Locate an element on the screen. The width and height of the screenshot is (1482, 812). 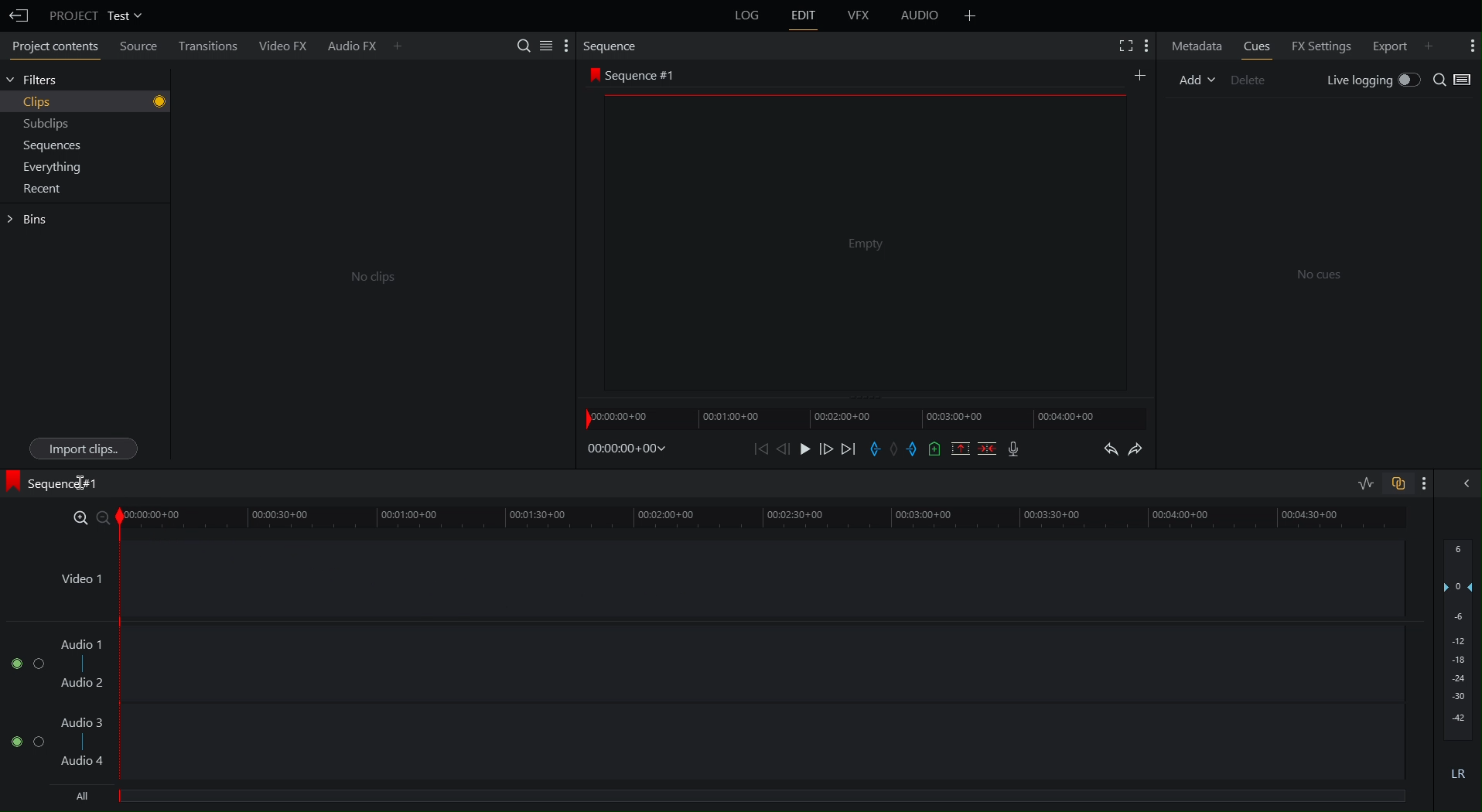
Settings is located at coordinates (1146, 43).